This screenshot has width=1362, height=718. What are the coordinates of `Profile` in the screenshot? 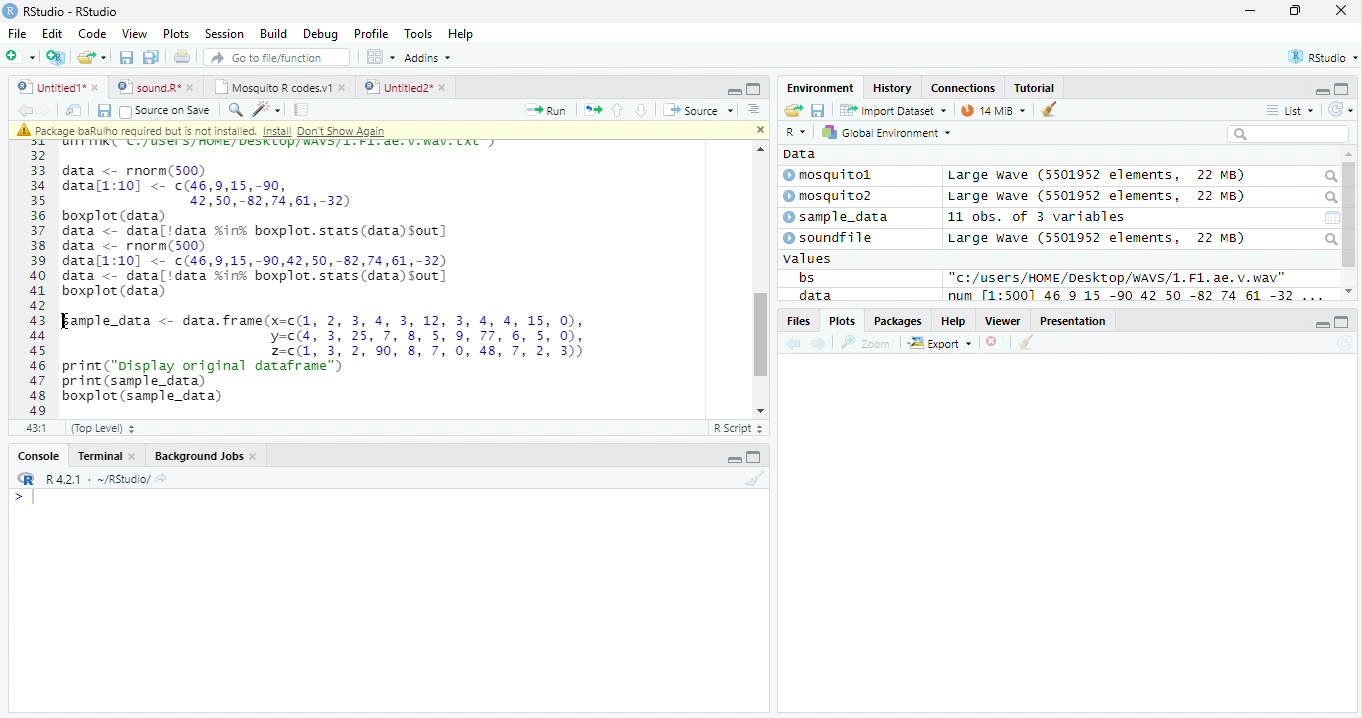 It's located at (371, 33).